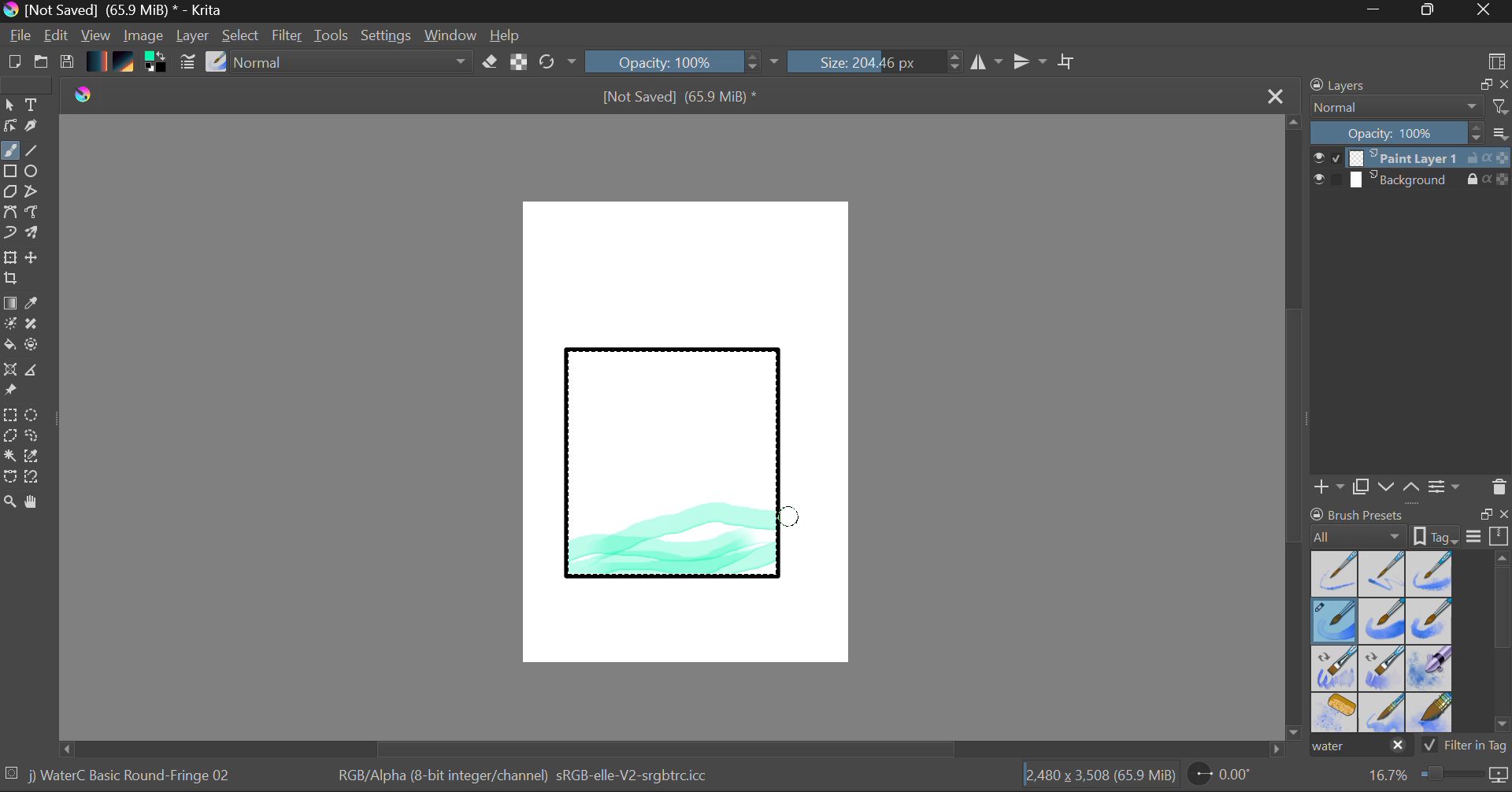  Describe the element at coordinates (33, 193) in the screenshot. I see `Polyline` at that location.